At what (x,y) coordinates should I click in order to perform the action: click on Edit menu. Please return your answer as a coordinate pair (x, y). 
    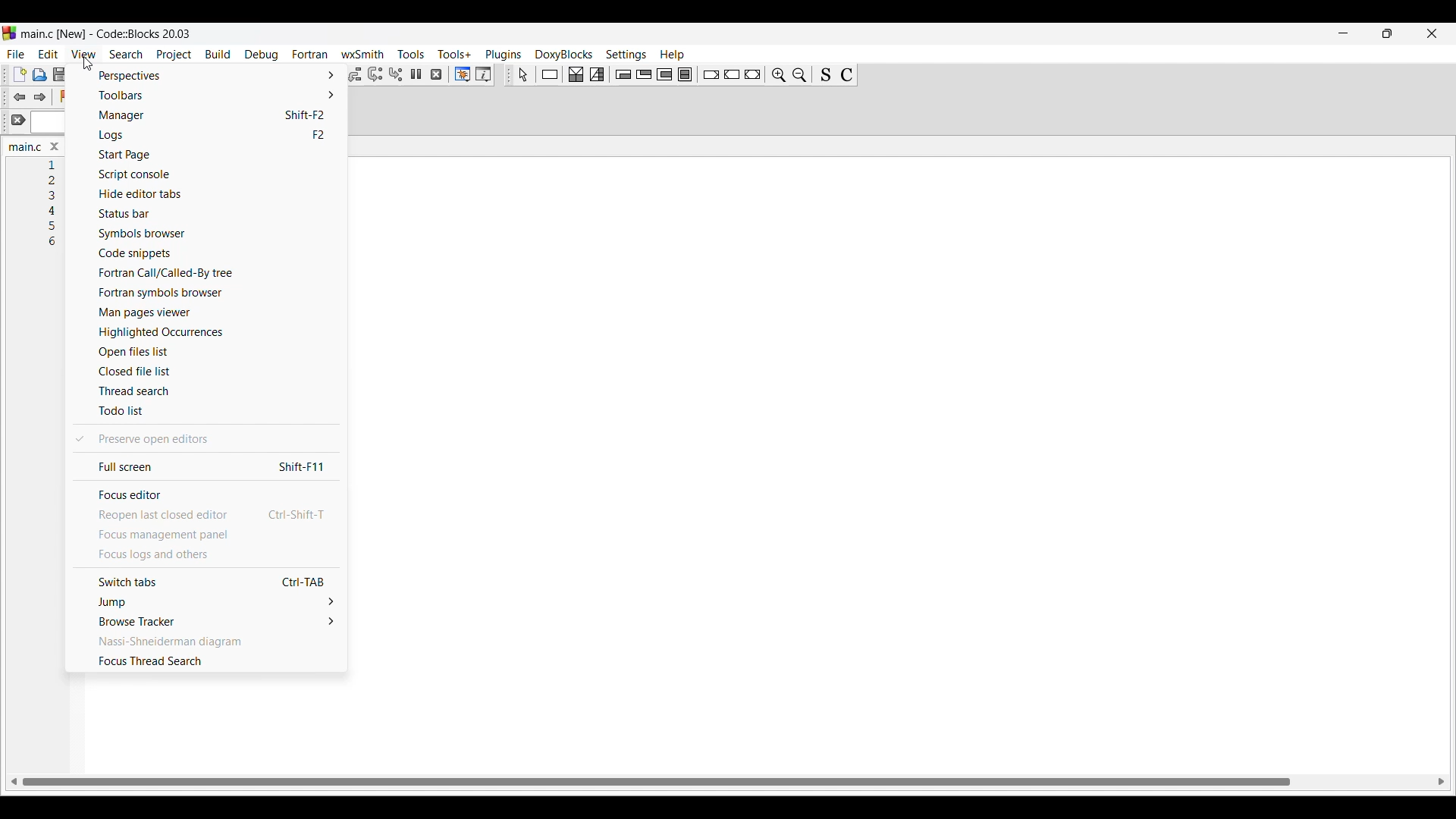
    Looking at the image, I should click on (49, 54).